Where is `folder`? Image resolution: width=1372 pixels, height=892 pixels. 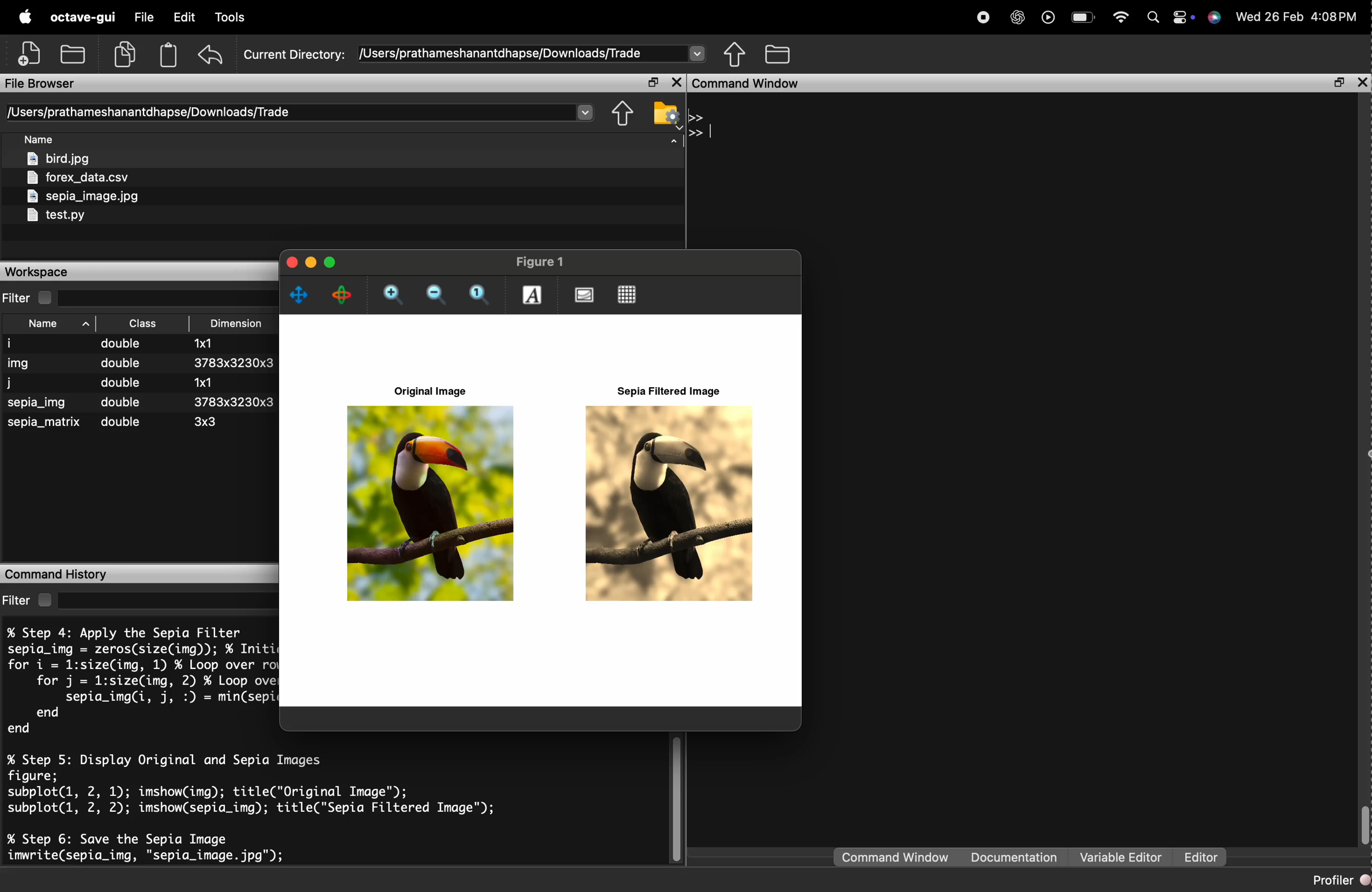
folder is located at coordinates (777, 54).